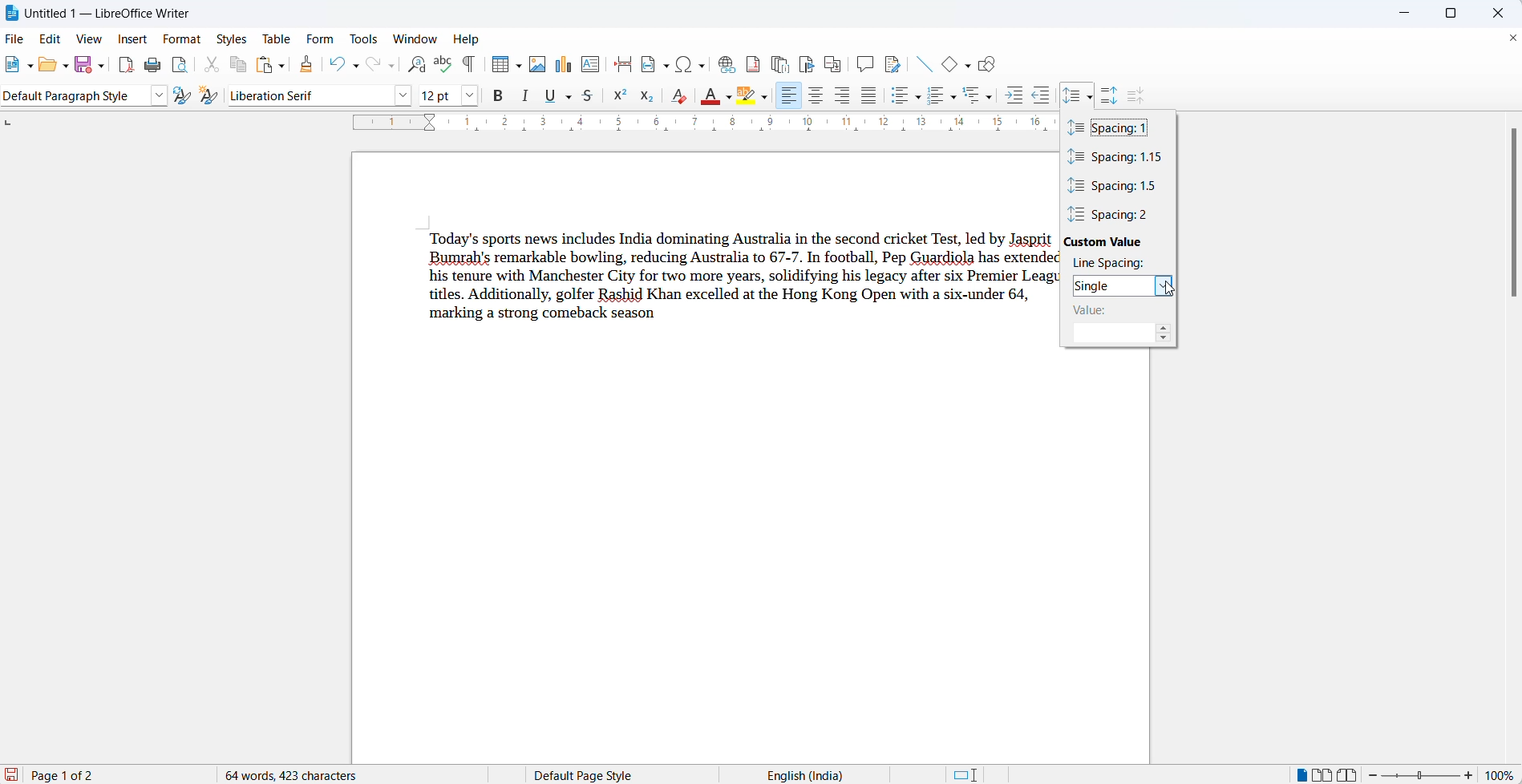 The width and height of the screenshot is (1522, 784). What do you see at coordinates (1322, 774) in the screenshot?
I see `multi page view` at bounding box center [1322, 774].